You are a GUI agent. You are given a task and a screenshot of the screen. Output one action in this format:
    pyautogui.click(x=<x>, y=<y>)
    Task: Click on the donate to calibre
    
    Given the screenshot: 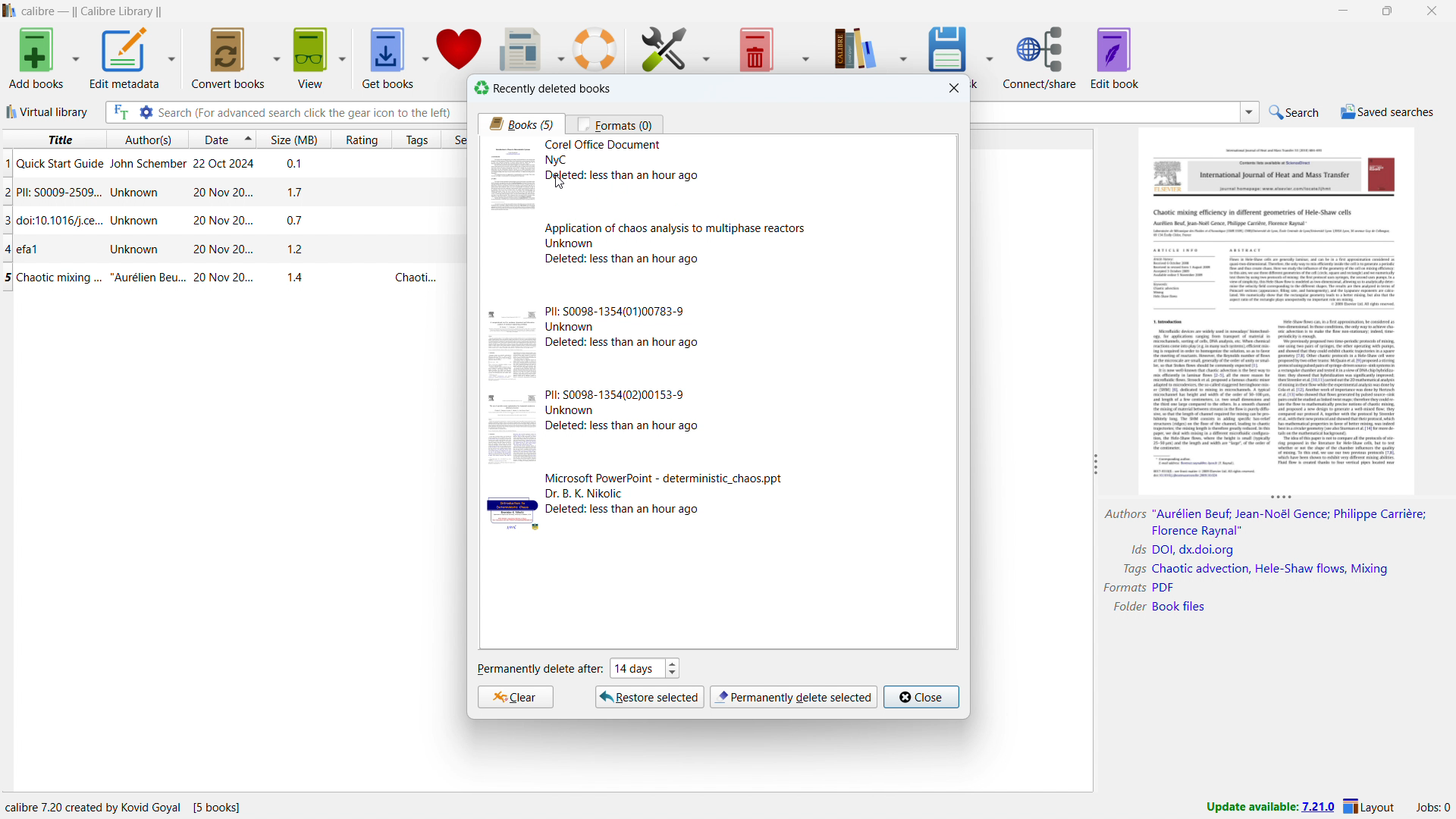 What is the action you would take?
    pyautogui.click(x=460, y=48)
    